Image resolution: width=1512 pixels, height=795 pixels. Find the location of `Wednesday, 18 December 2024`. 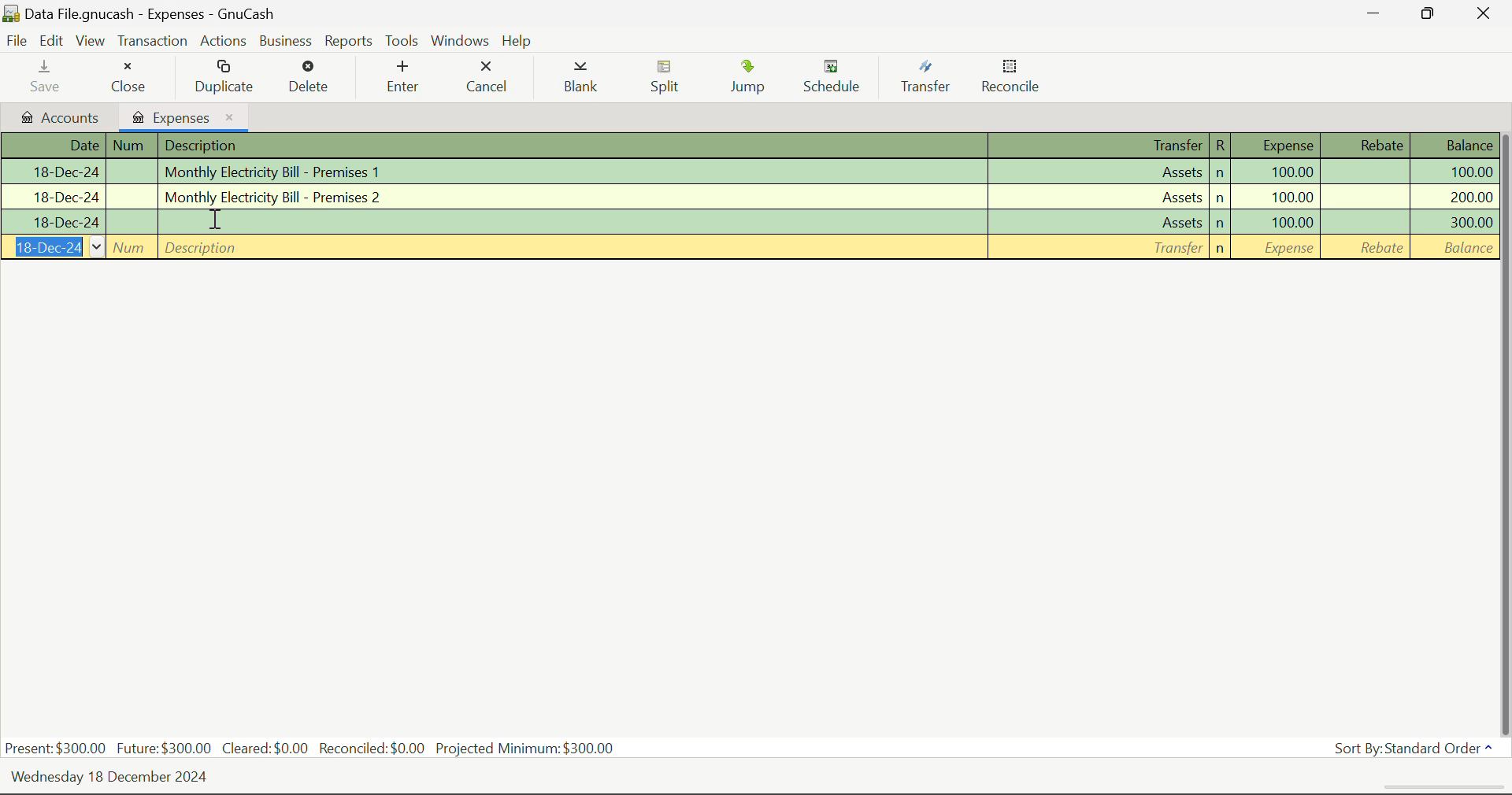

Wednesday, 18 December 2024 is located at coordinates (115, 778).